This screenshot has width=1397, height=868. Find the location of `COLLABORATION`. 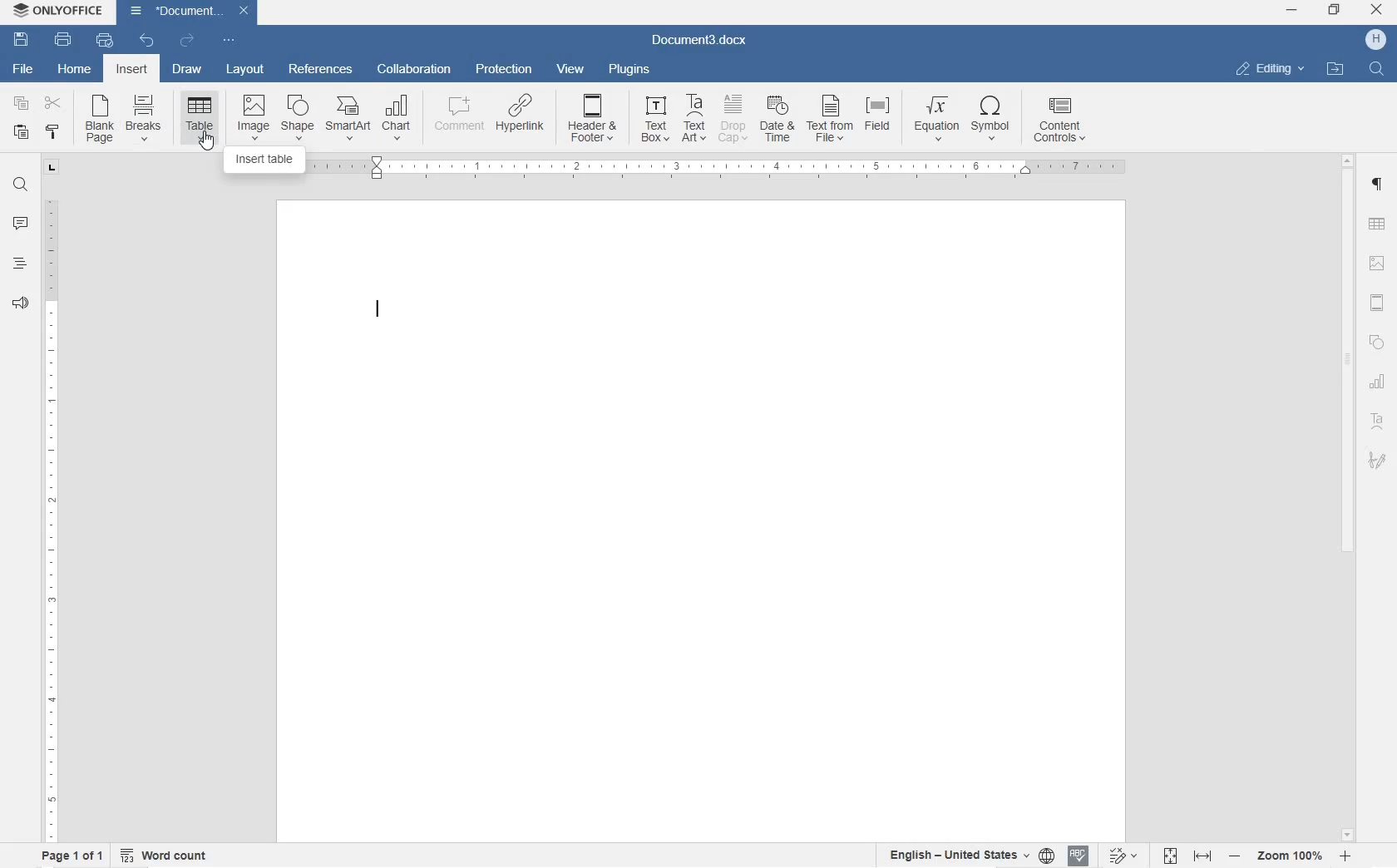

COLLABORATION is located at coordinates (417, 70).